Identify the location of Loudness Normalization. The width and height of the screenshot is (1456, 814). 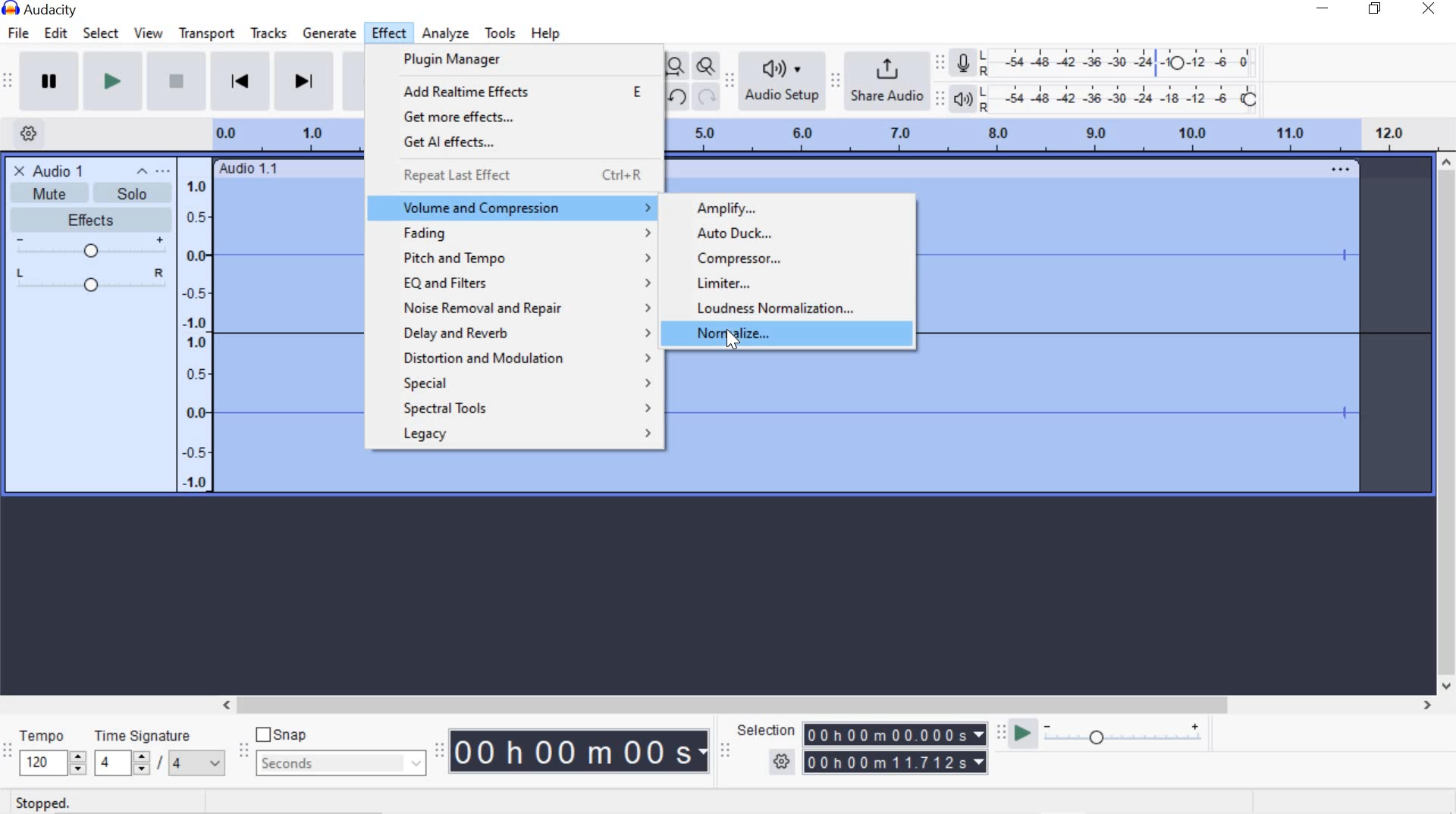
(777, 310).